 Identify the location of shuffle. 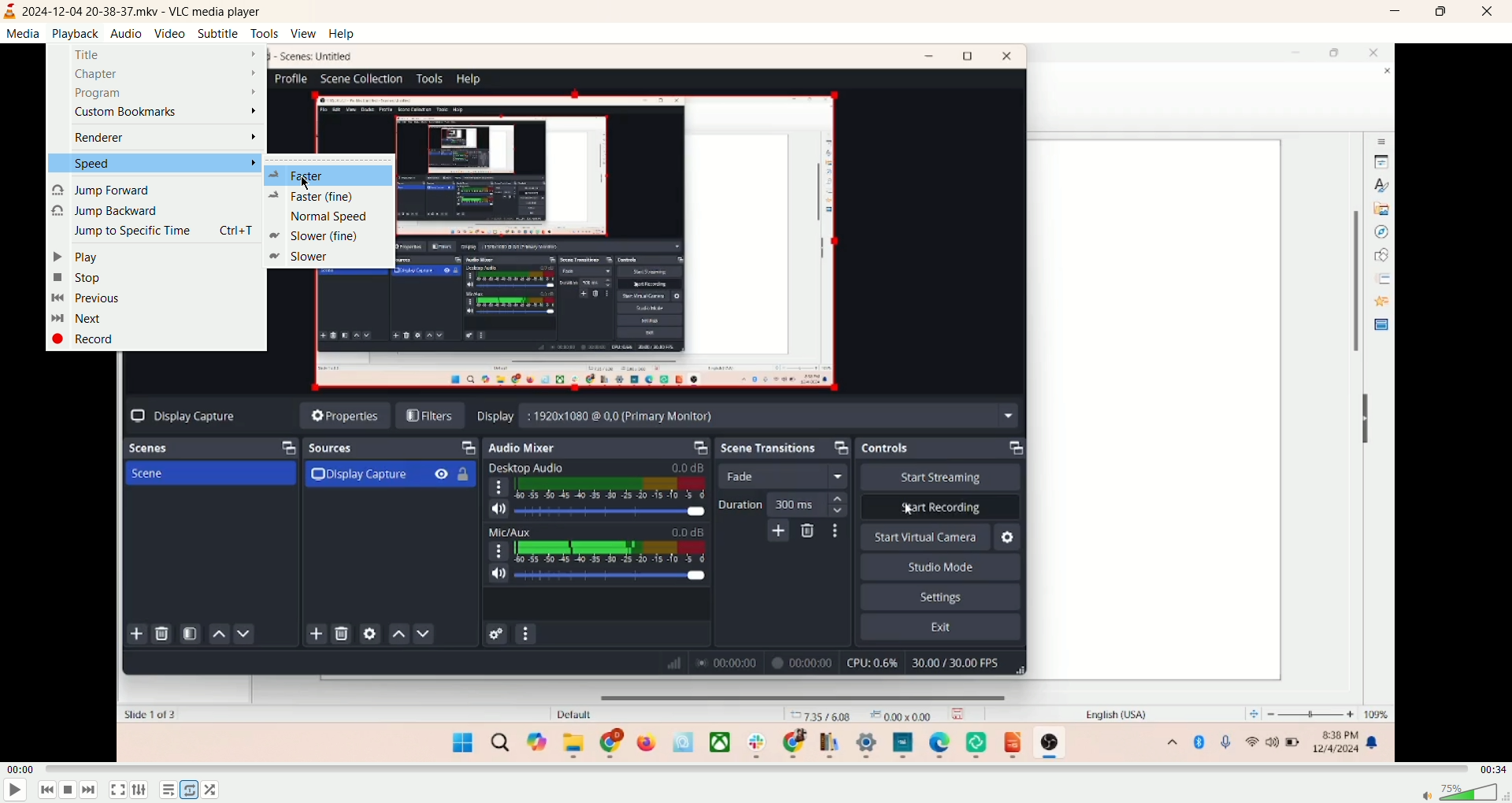
(219, 789).